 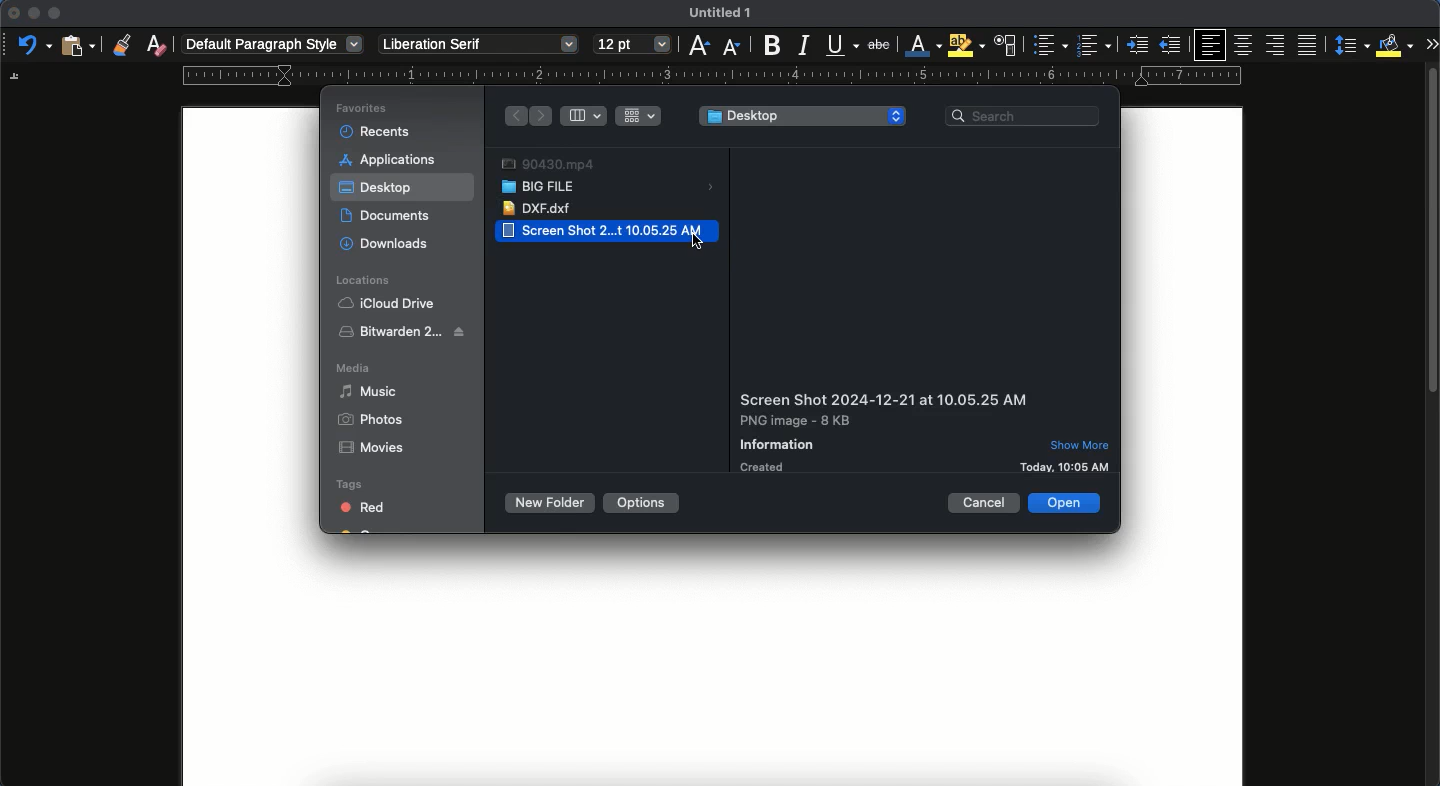 I want to click on desktop, so click(x=377, y=189).